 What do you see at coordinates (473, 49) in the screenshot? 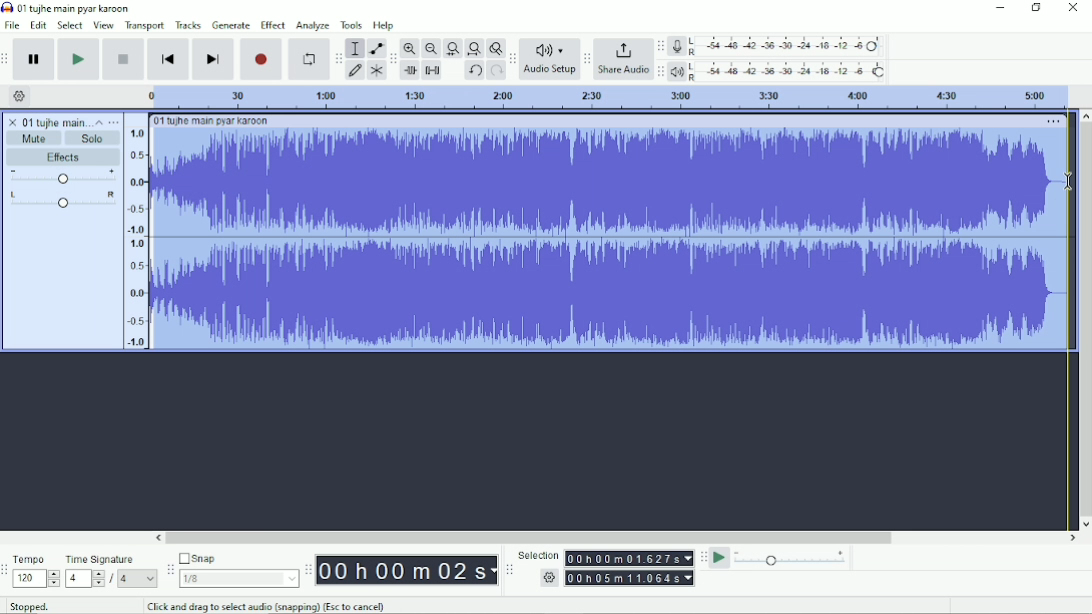
I see `Fit project to width` at bounding box center [473, 49].